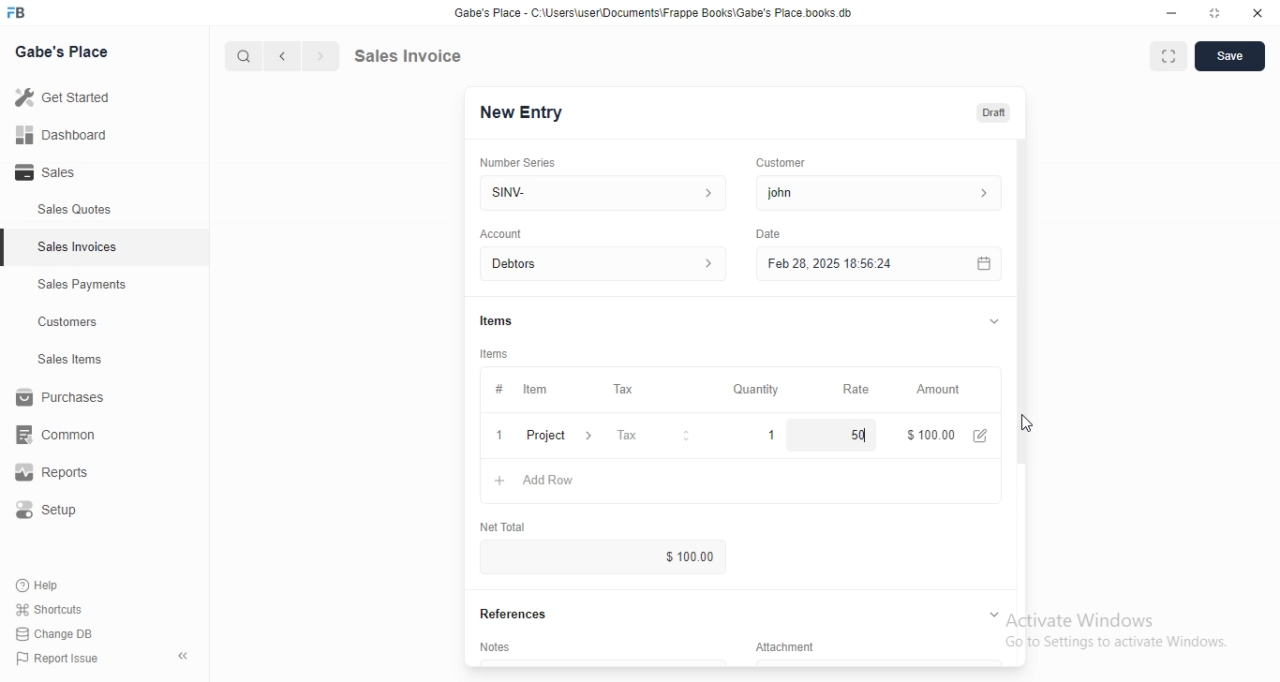  Describe the element at coordinates (992, 613) in the screenshot. I see `collapse` at that location.